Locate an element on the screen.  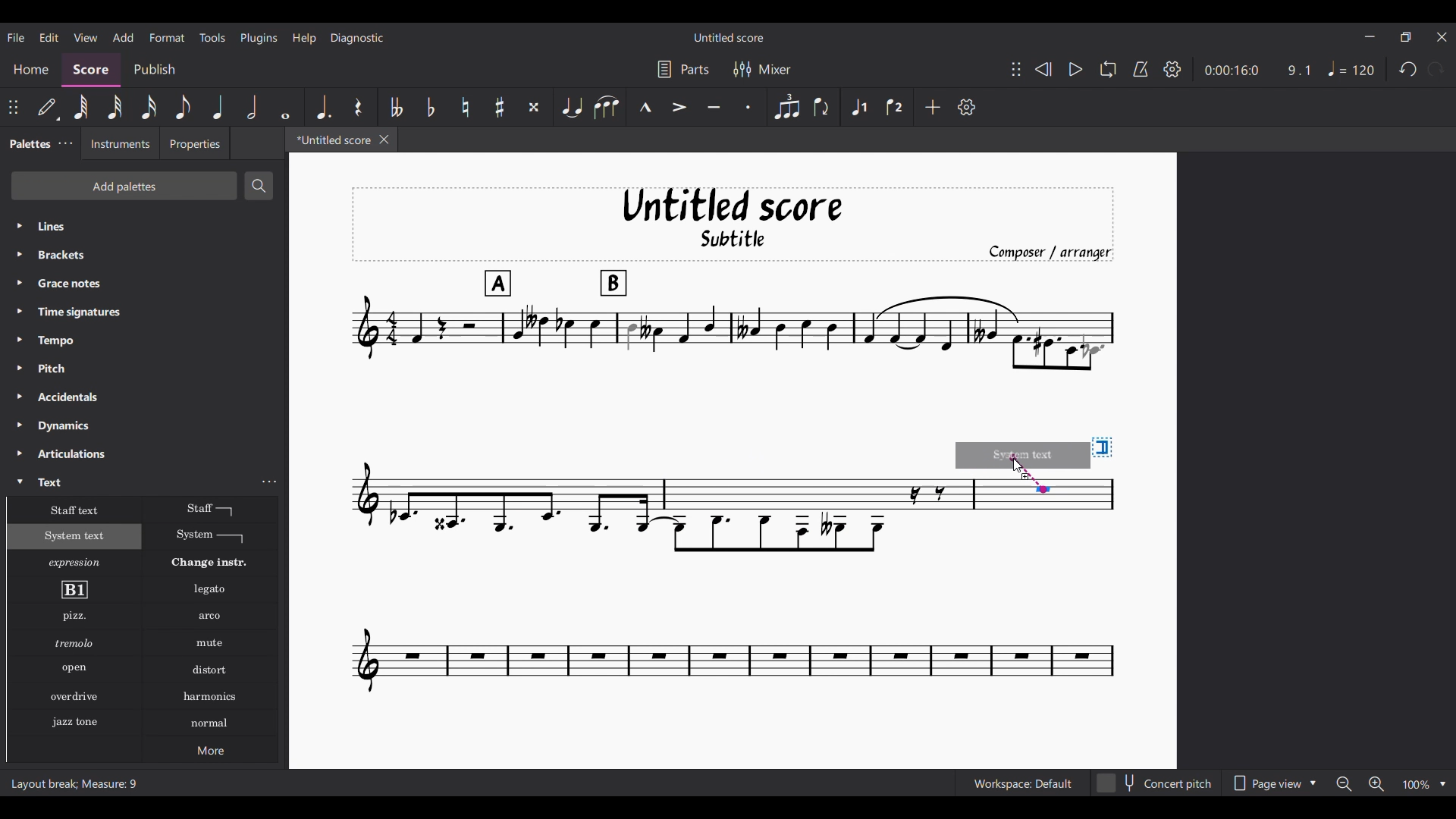
Flip direction is located at coordinates (822, 106).